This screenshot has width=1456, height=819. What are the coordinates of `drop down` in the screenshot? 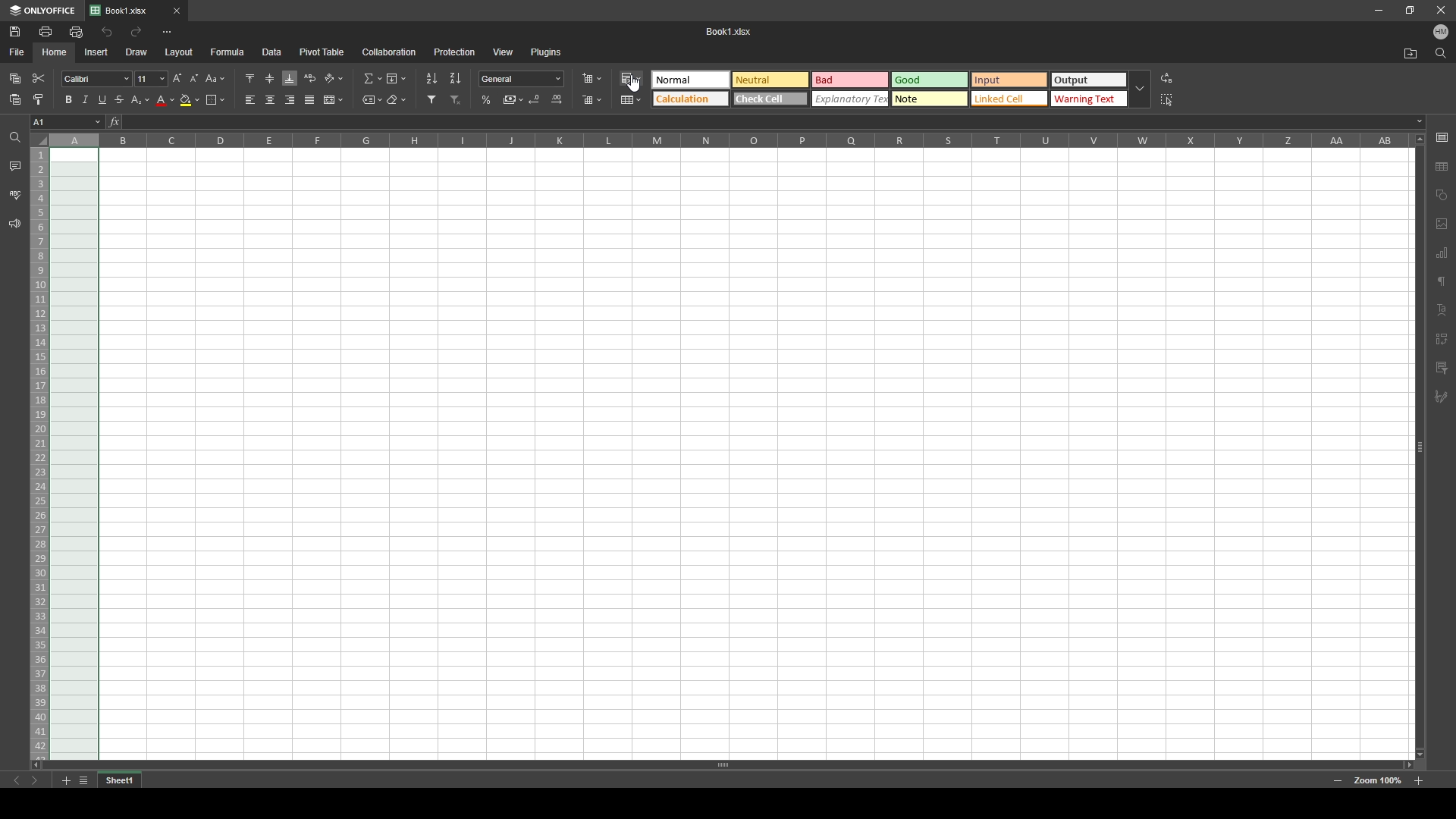 It's located at (1141, 90).